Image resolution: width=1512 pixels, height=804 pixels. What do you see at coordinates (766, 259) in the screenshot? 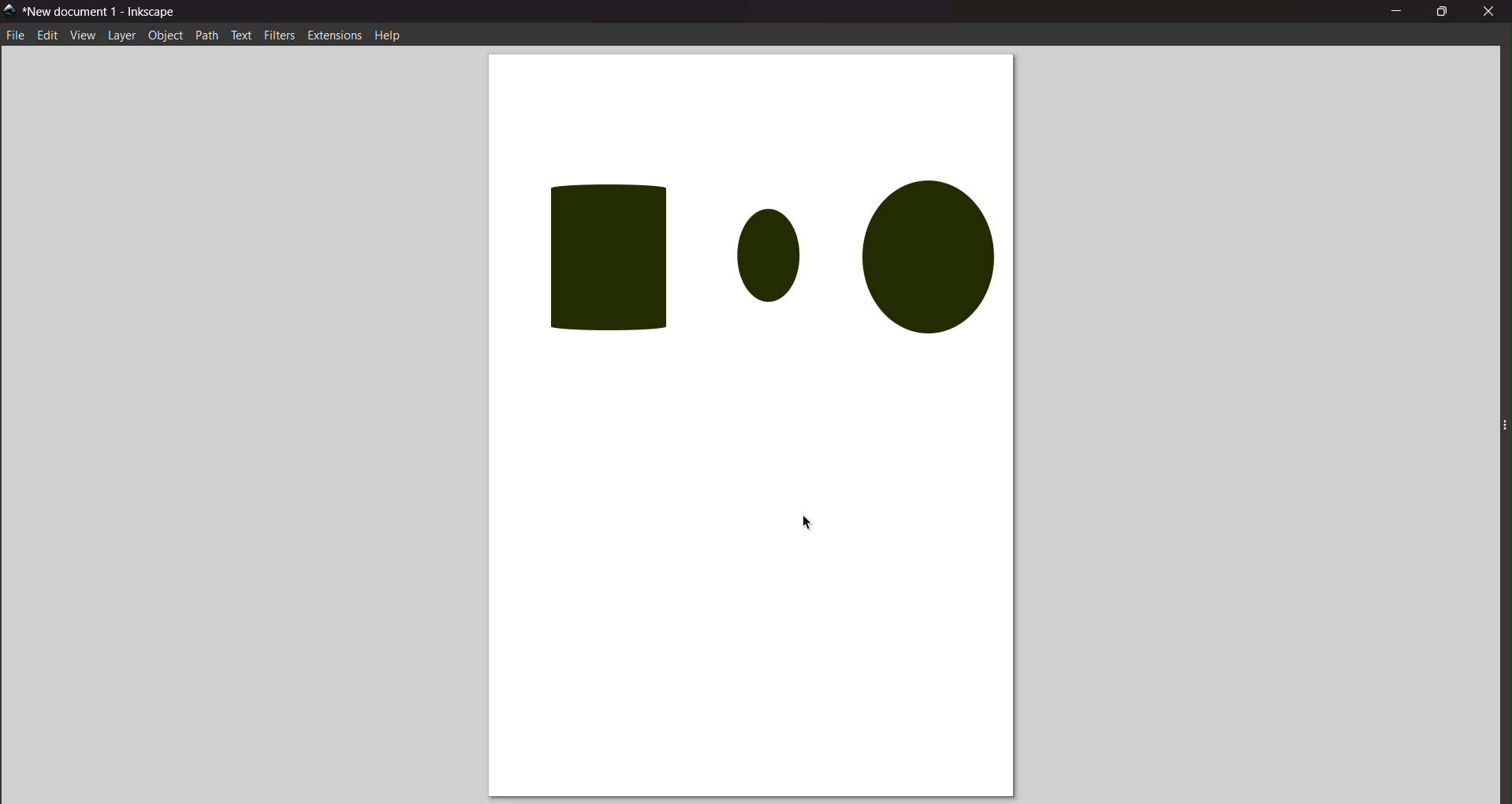
I see `objects` at bounding box center [766, 259].